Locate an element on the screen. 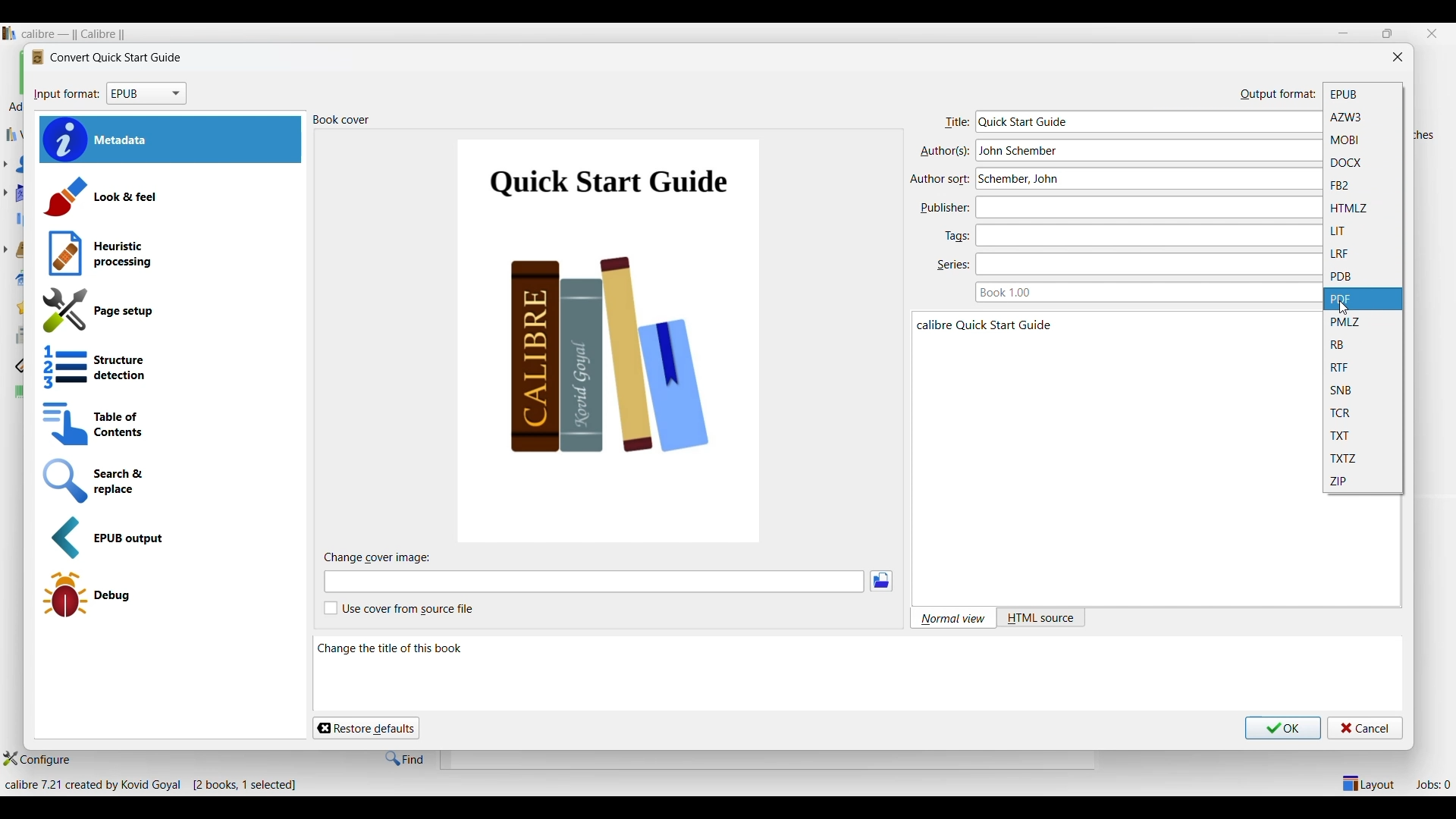 This screenshot has width=1456, height=819. ZIP is located at coordinates (1363, 482).